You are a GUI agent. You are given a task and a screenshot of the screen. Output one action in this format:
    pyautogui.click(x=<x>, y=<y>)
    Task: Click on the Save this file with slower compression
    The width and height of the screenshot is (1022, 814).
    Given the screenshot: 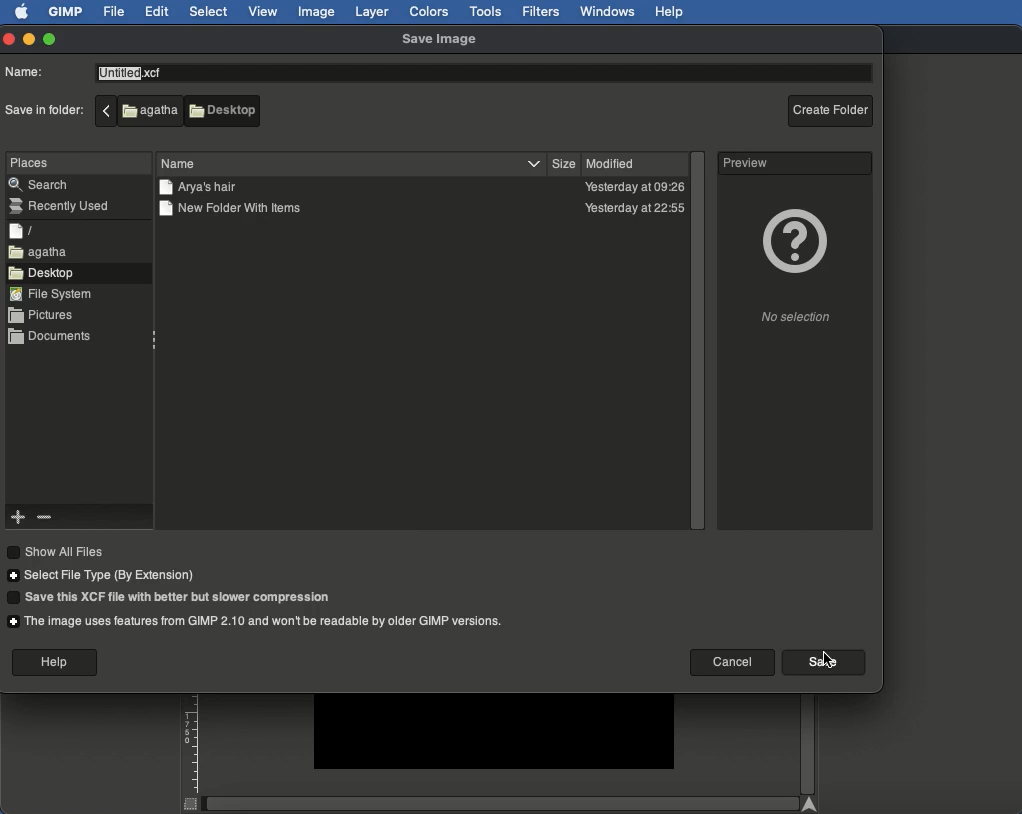 What is the action you would take?
    pyautogui.click(x=172, y=598)
    